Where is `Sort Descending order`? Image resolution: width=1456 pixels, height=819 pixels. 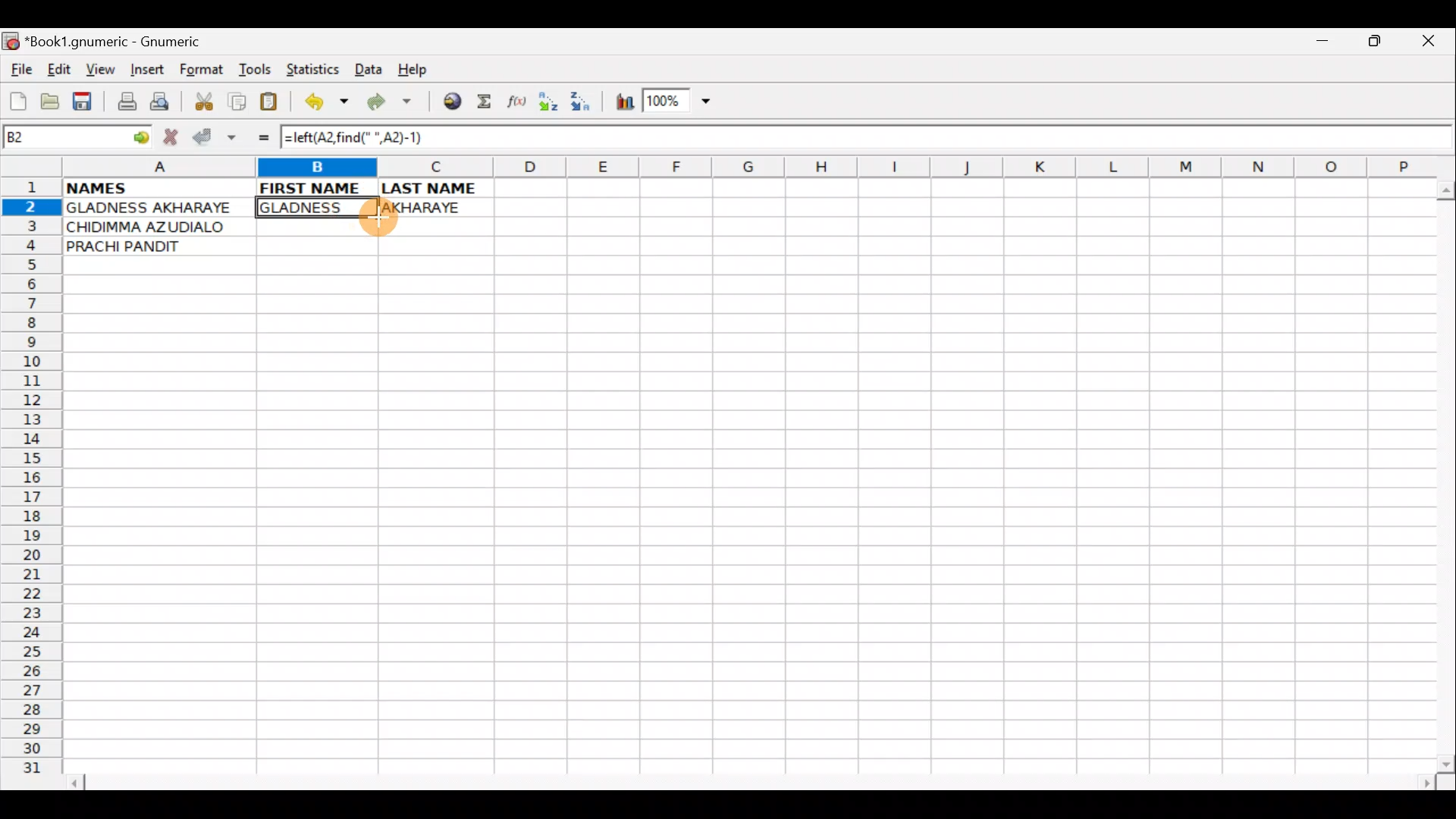 Sort Descending order is located at coordinates (585, 105).